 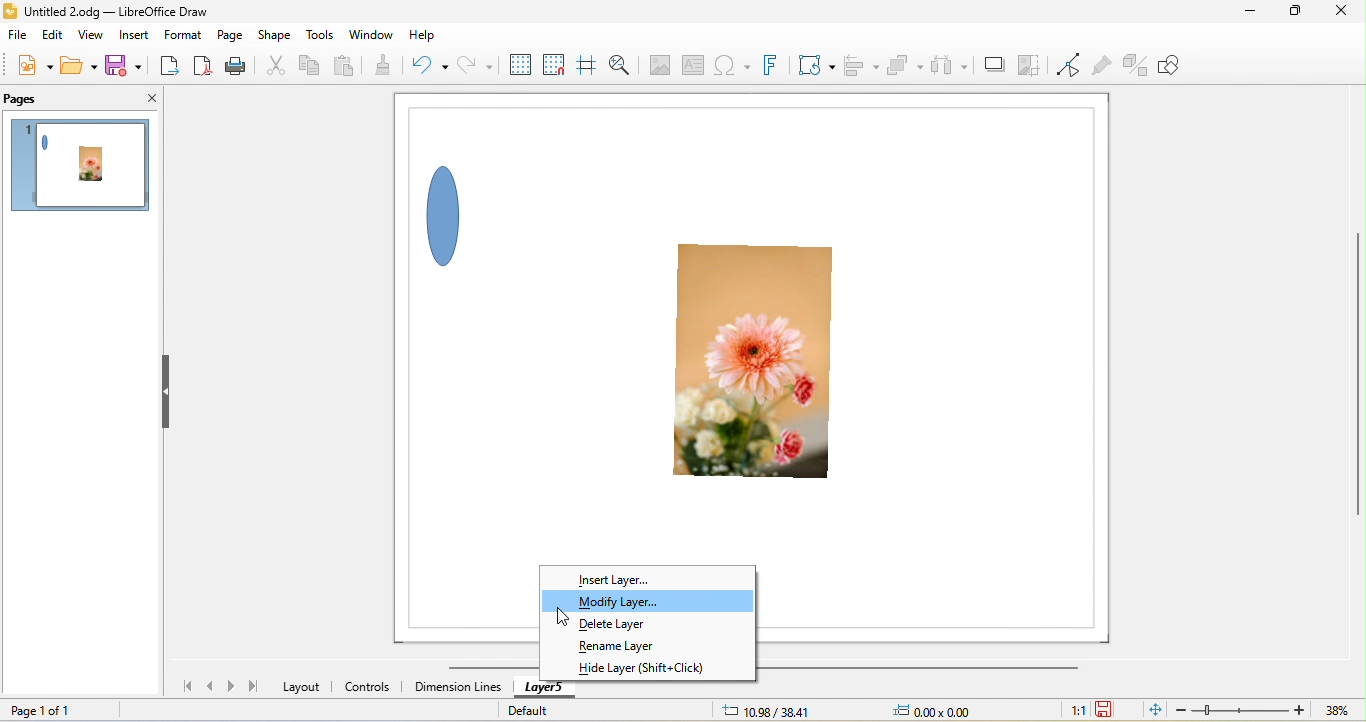 What do you see at coordinates (586, 64) in the screenshot?
I see `helpline while moving` at bounding box center [586, 64].